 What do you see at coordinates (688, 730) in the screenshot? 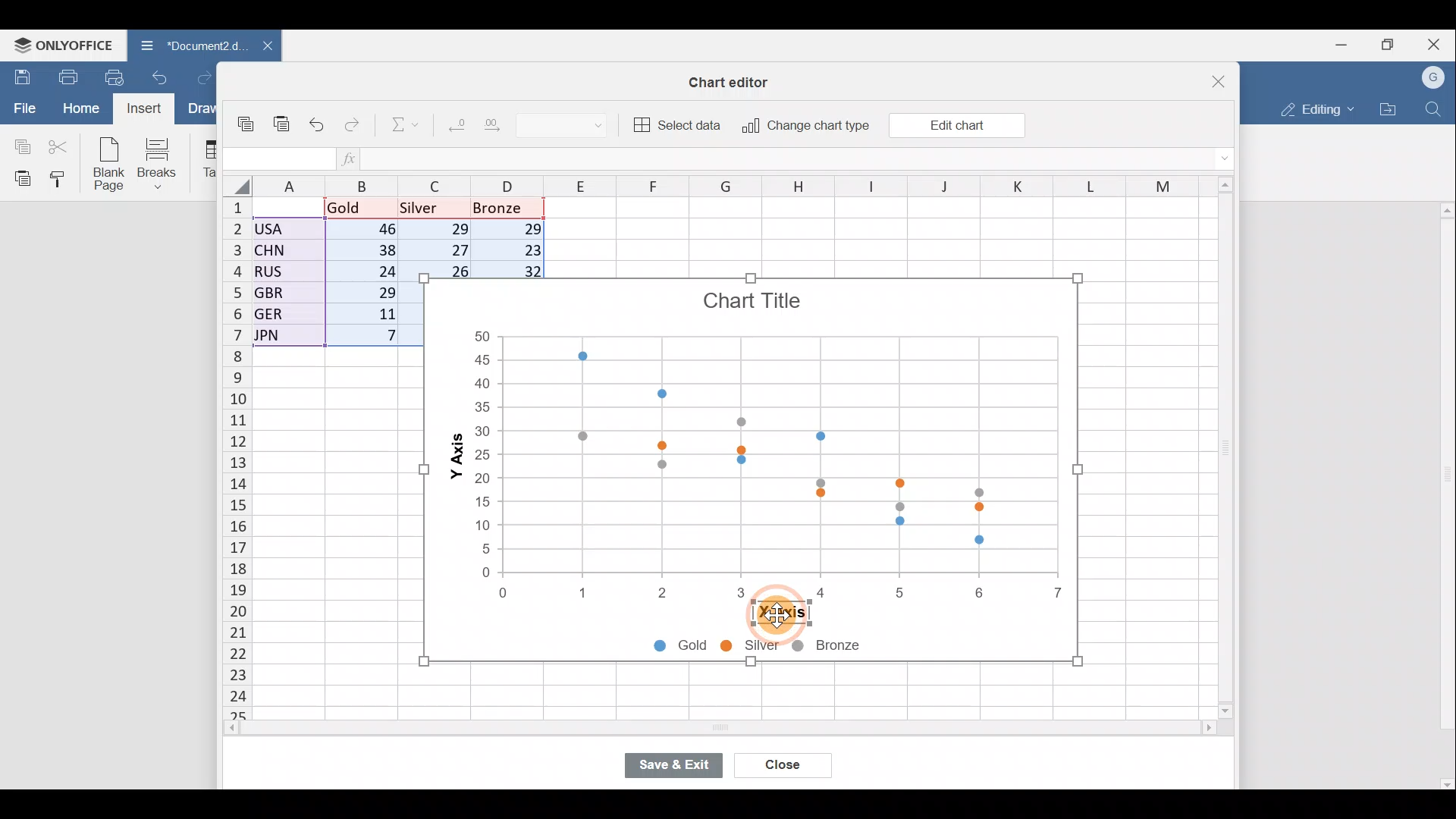
I see `Scroll bar` at bounding box center [688, 730].